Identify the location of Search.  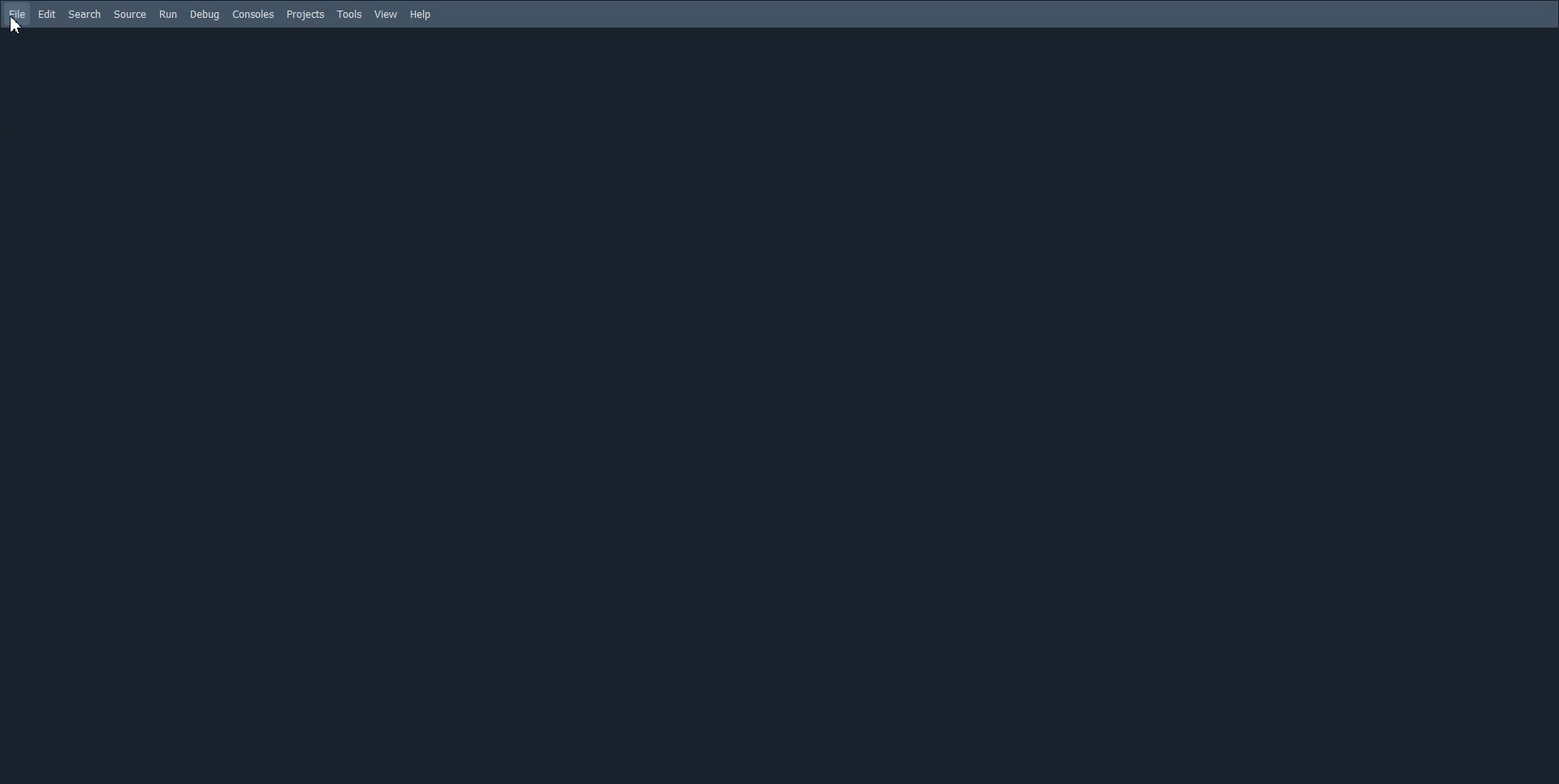
(84, 15).